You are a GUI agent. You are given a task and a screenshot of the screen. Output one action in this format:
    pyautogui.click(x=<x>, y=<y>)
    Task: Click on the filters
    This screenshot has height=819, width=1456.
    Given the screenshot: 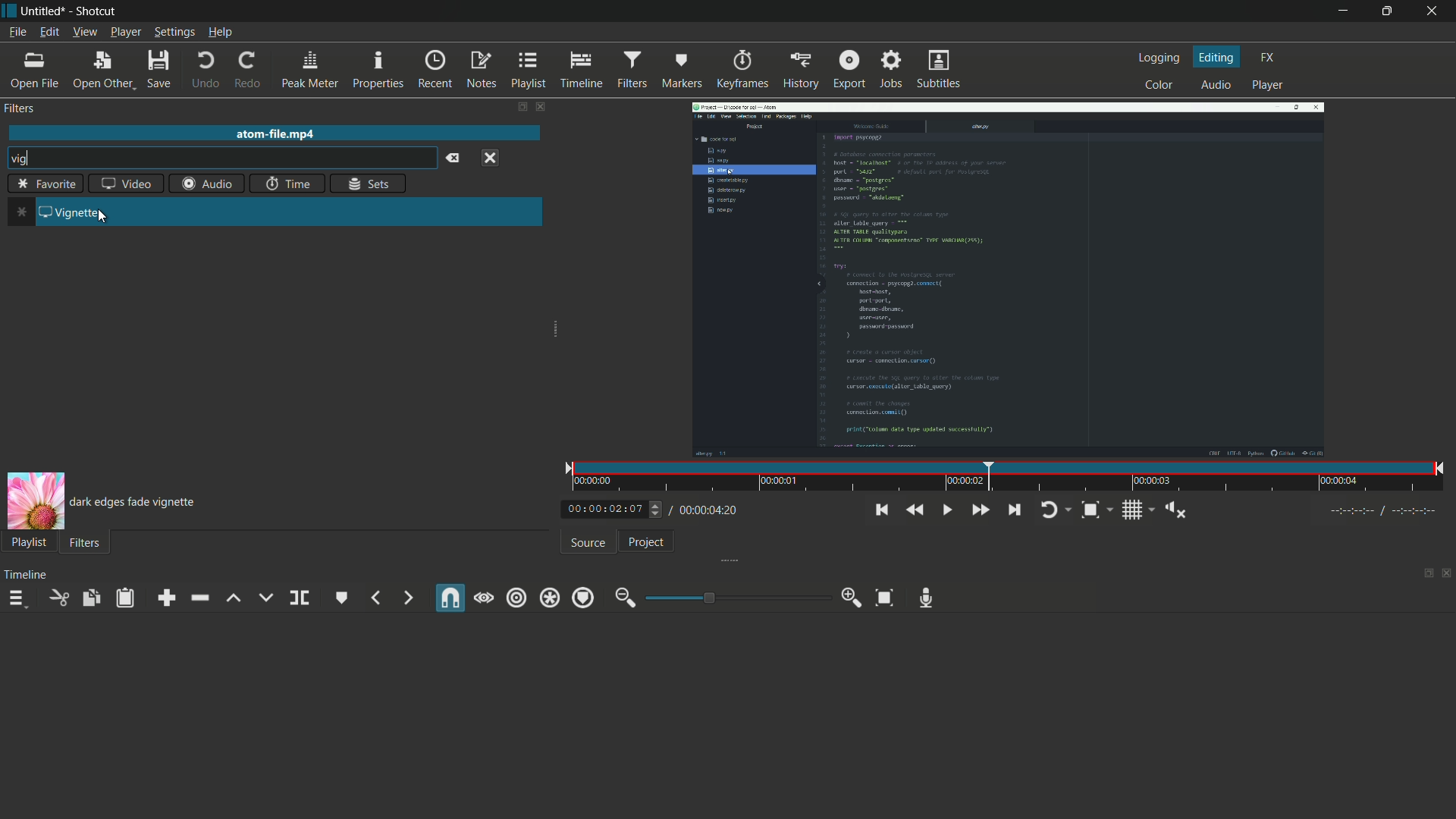 What is the action you would take?
    pyautogui.click(x=20, y=108)
    